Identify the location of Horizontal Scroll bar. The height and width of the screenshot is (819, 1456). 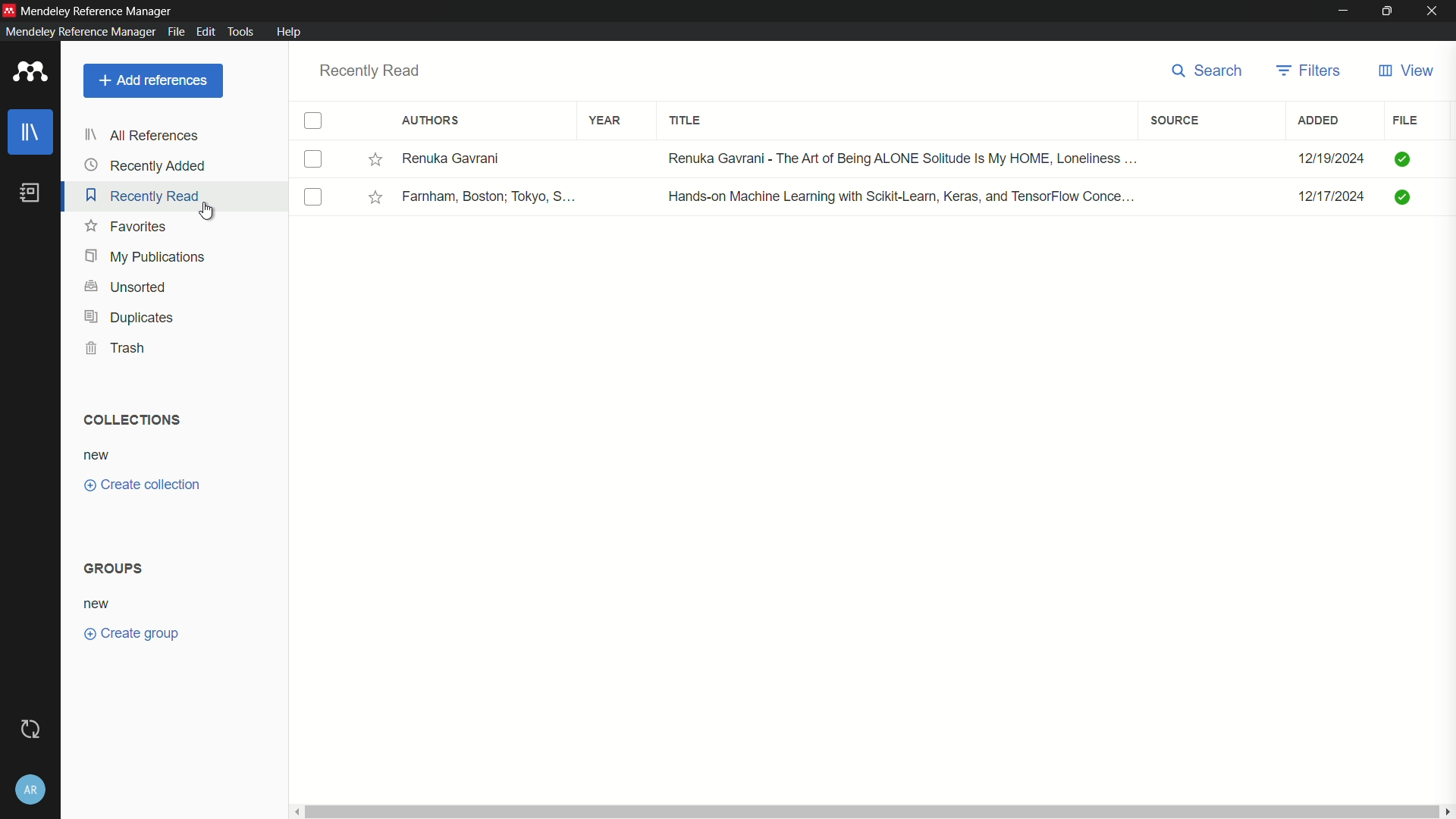
(869, 813).